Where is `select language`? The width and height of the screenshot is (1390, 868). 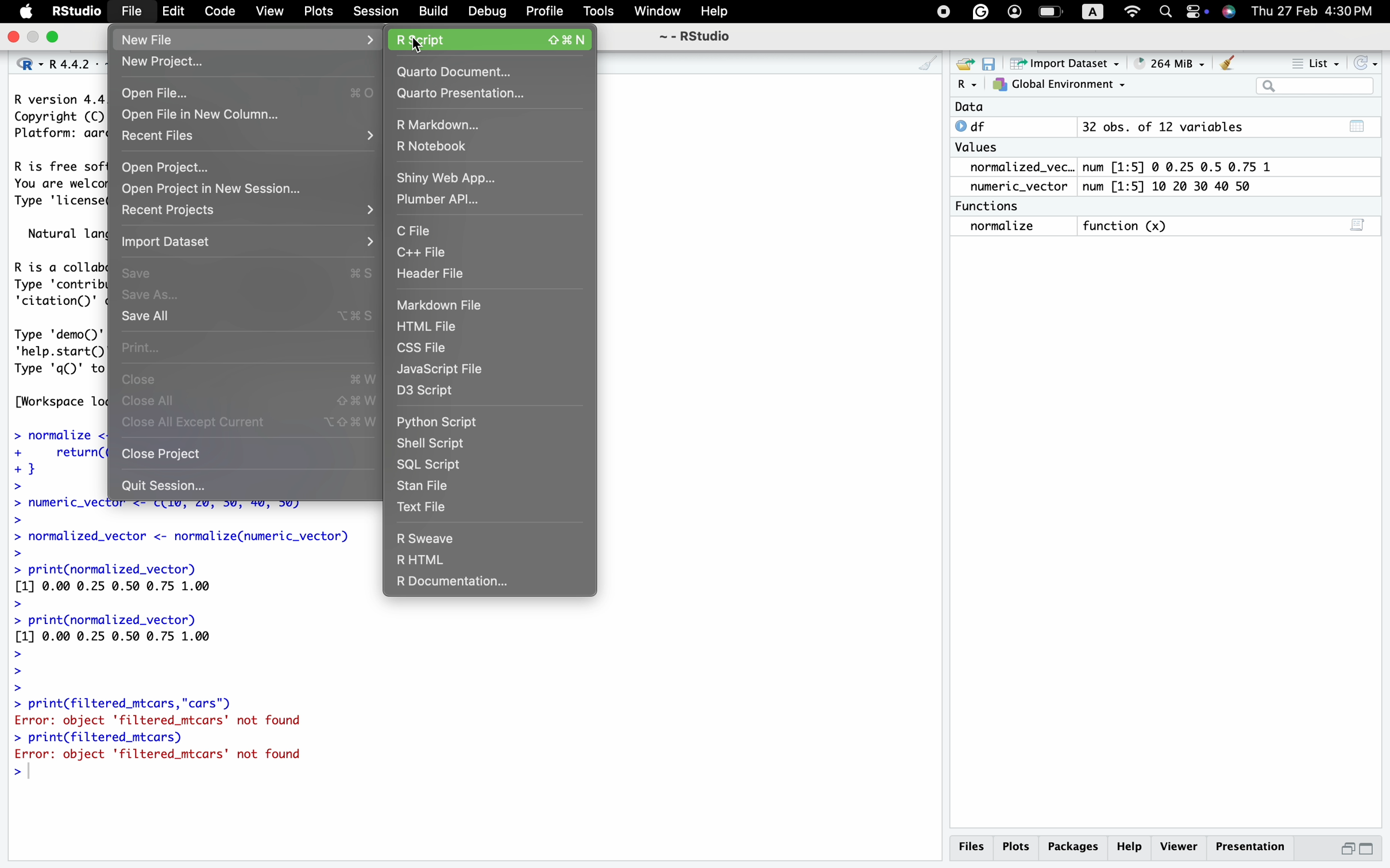
select language is located at coordinates (22, 64).